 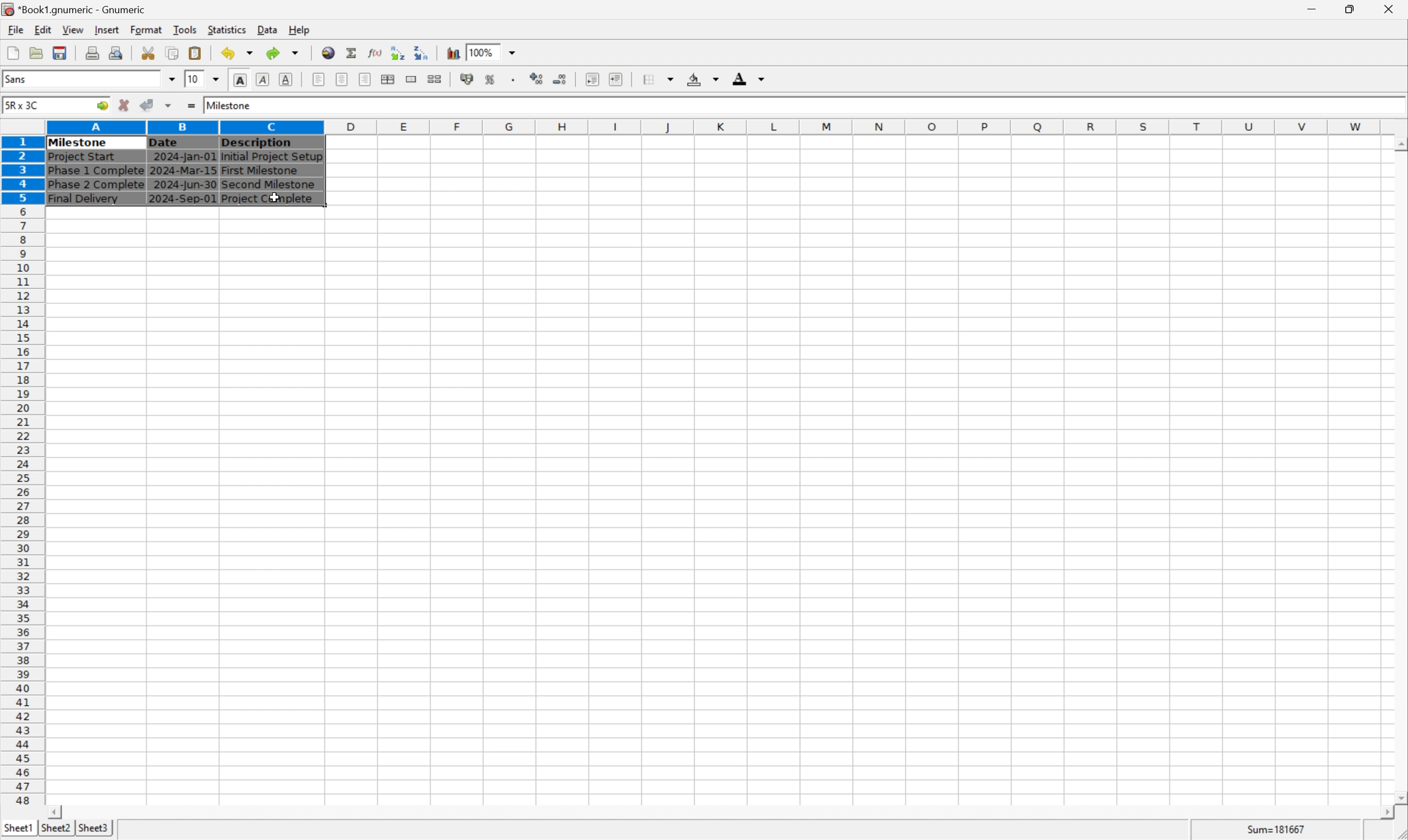 I want to click on format, so click(x=145, y=29).